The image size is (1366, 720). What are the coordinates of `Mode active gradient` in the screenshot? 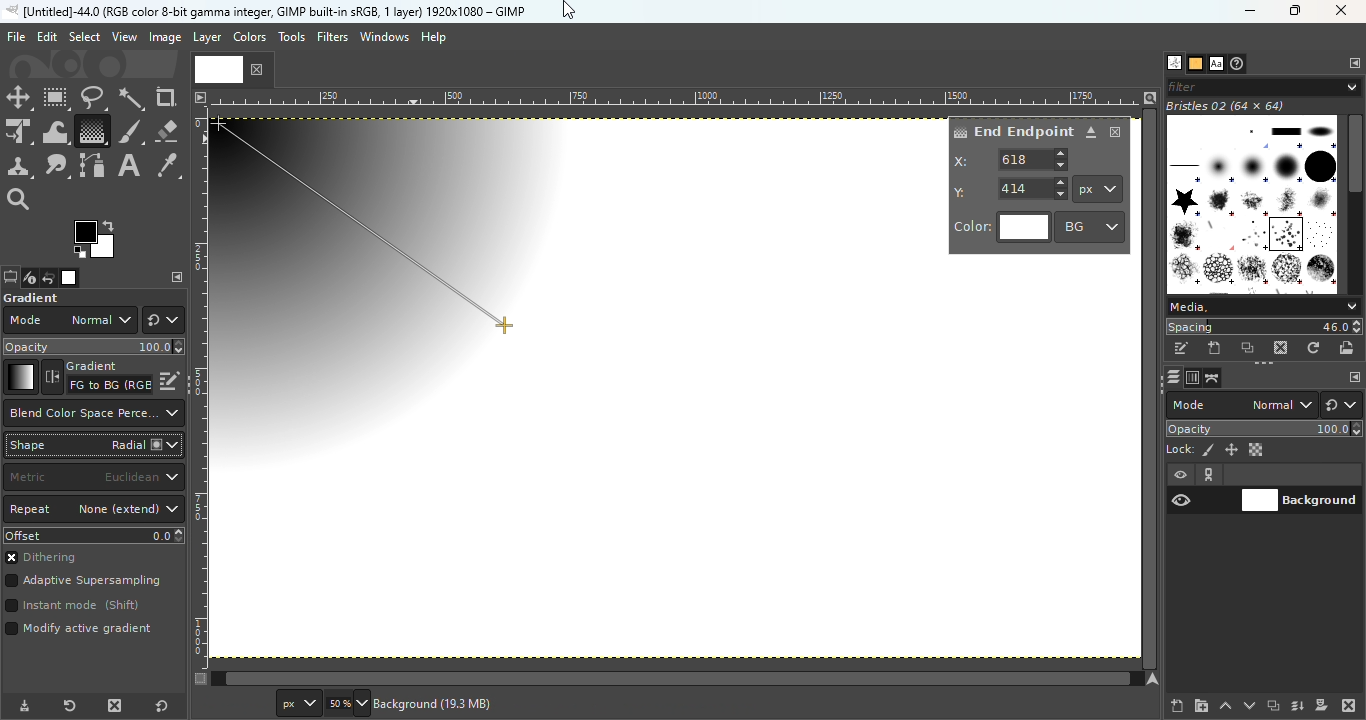 It's located at (82, 633).